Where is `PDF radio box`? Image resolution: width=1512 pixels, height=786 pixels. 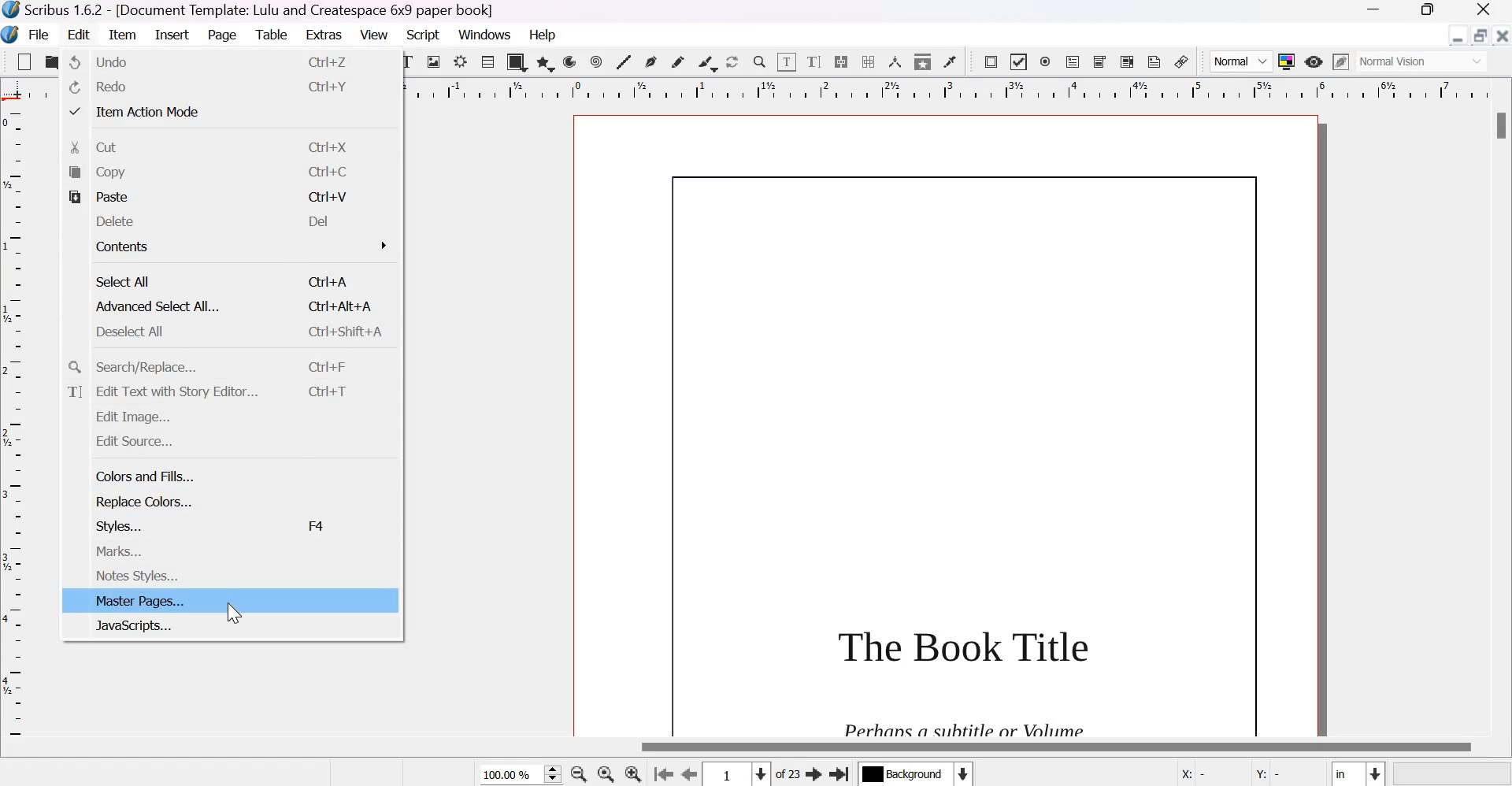 PDF radio box is located at coordinates (1046, 61).